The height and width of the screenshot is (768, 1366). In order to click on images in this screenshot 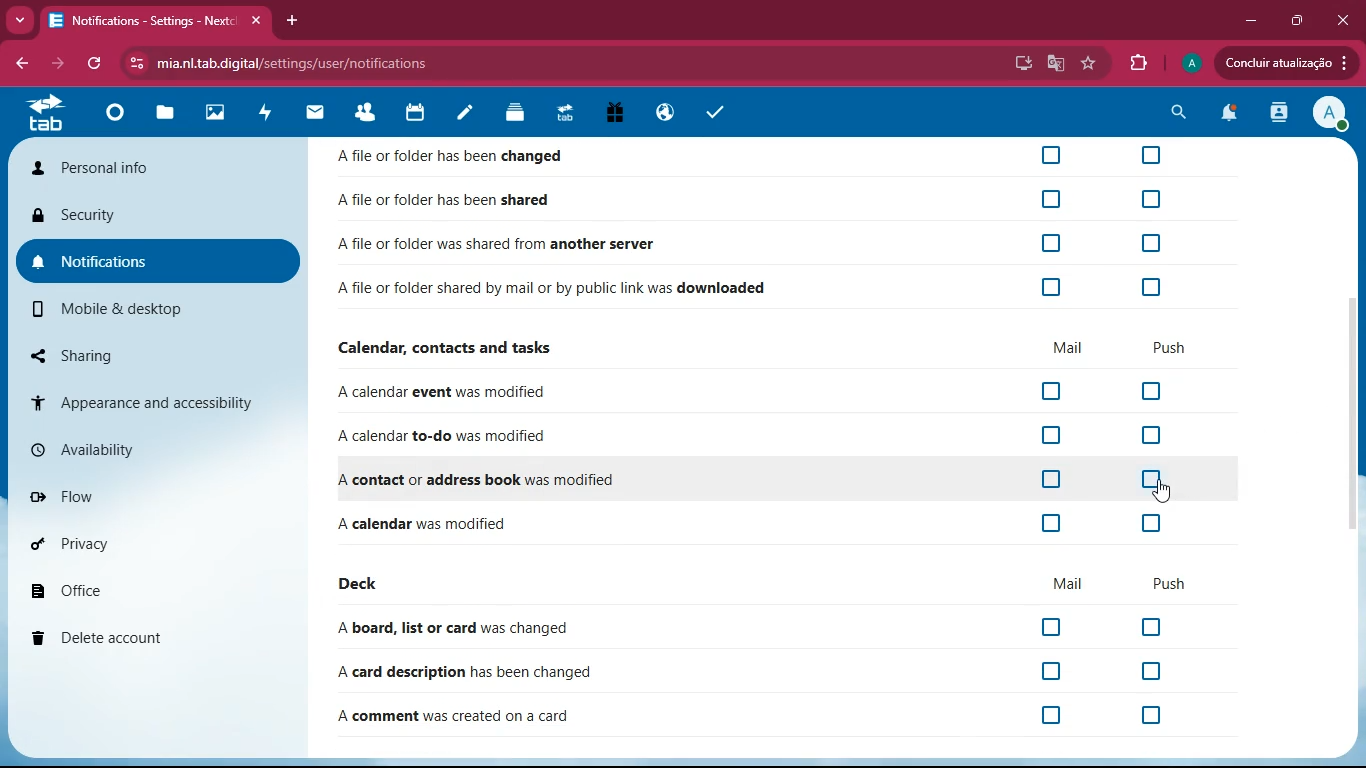, I will do `click(213, 112)`.